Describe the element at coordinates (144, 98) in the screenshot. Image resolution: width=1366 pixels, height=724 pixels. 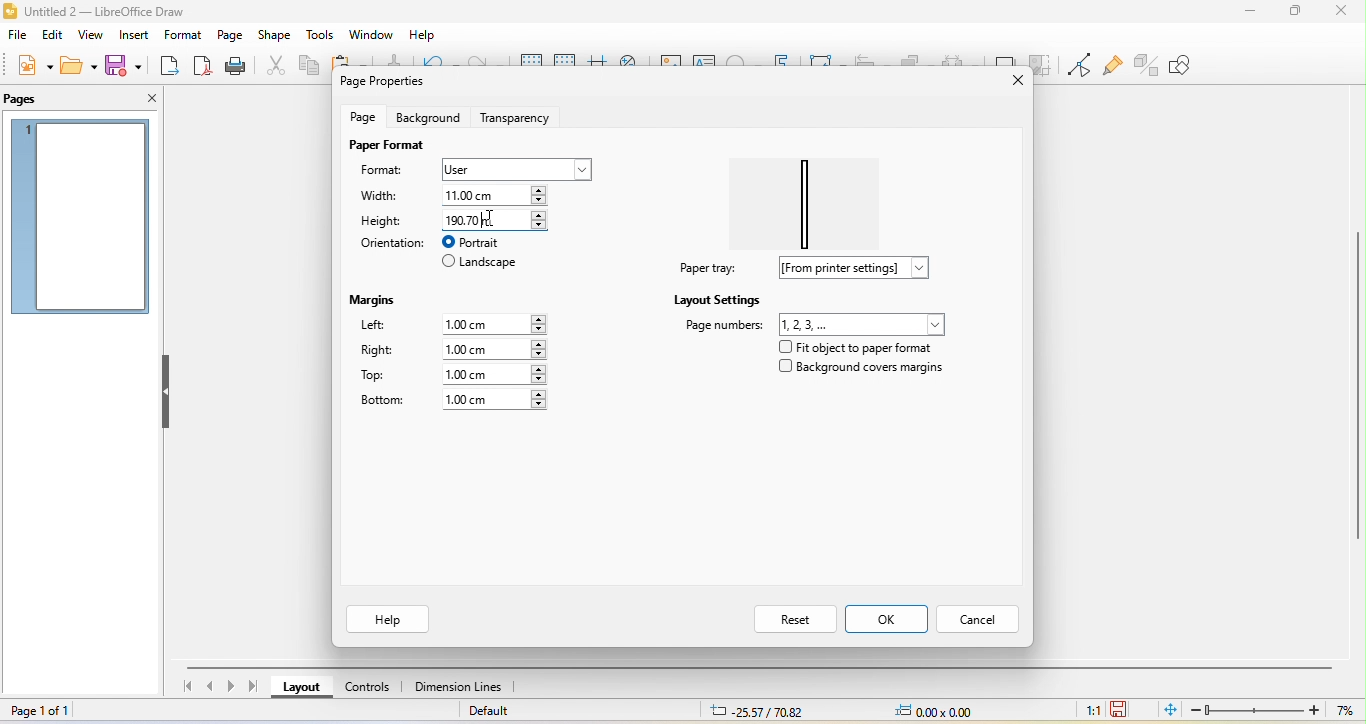
I see `close` at that location.